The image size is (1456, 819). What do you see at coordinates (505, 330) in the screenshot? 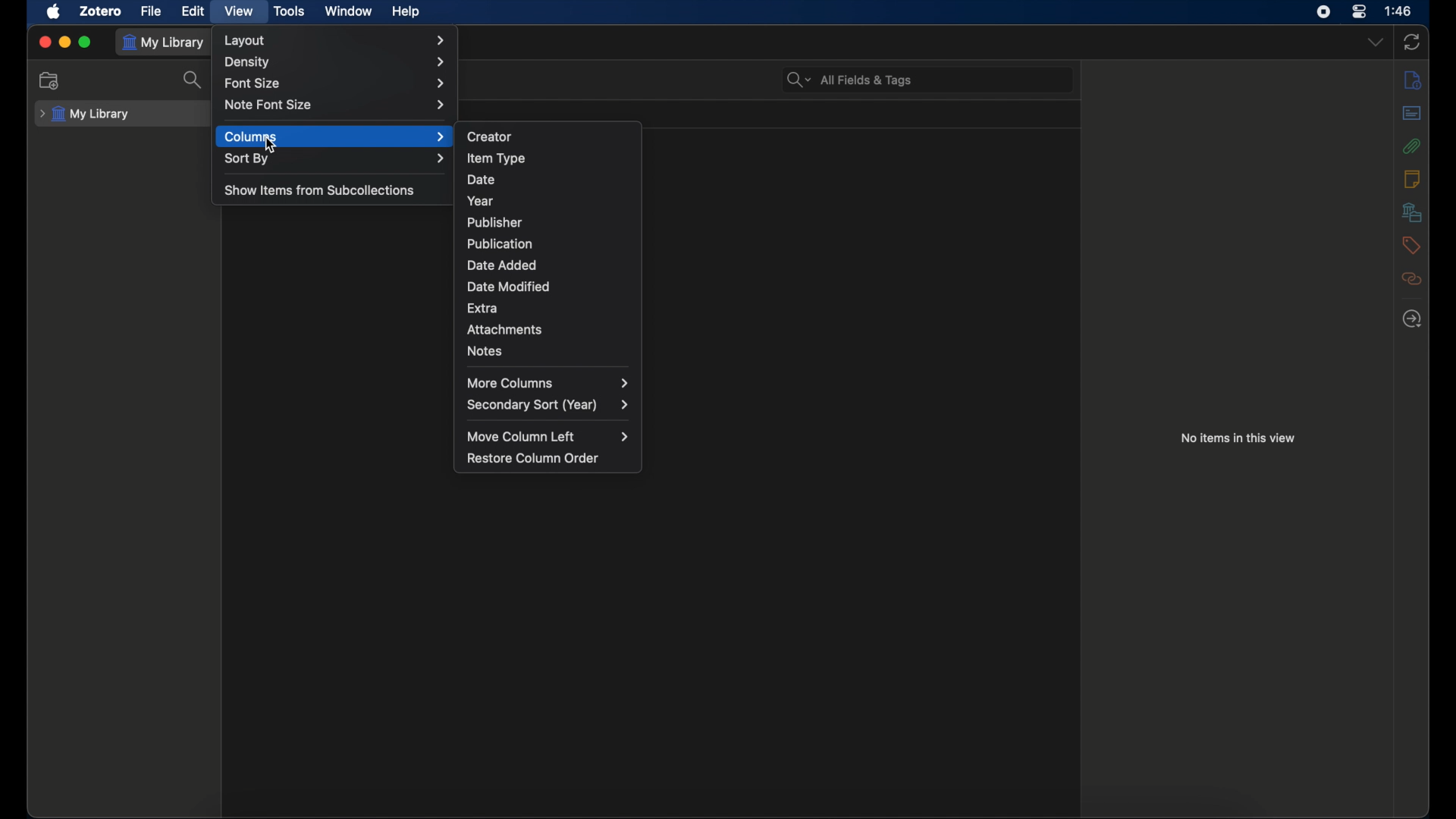
I see `attachments` at bounding box center [505, 330].